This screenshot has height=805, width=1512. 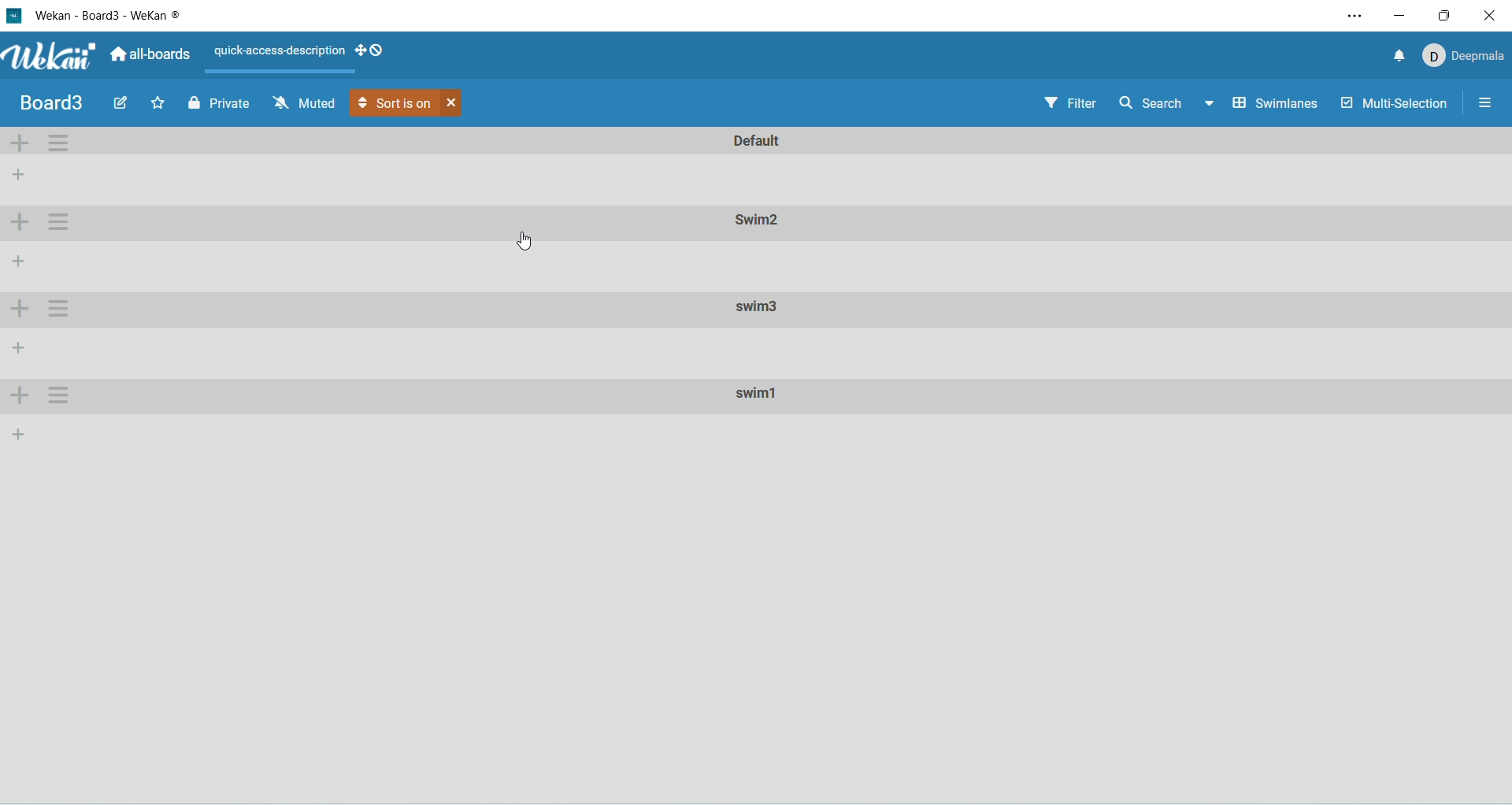 What do you see at coordinates (20, 221) in the screenshot?
I see `add swimlane` at bounding box center [20, 221].